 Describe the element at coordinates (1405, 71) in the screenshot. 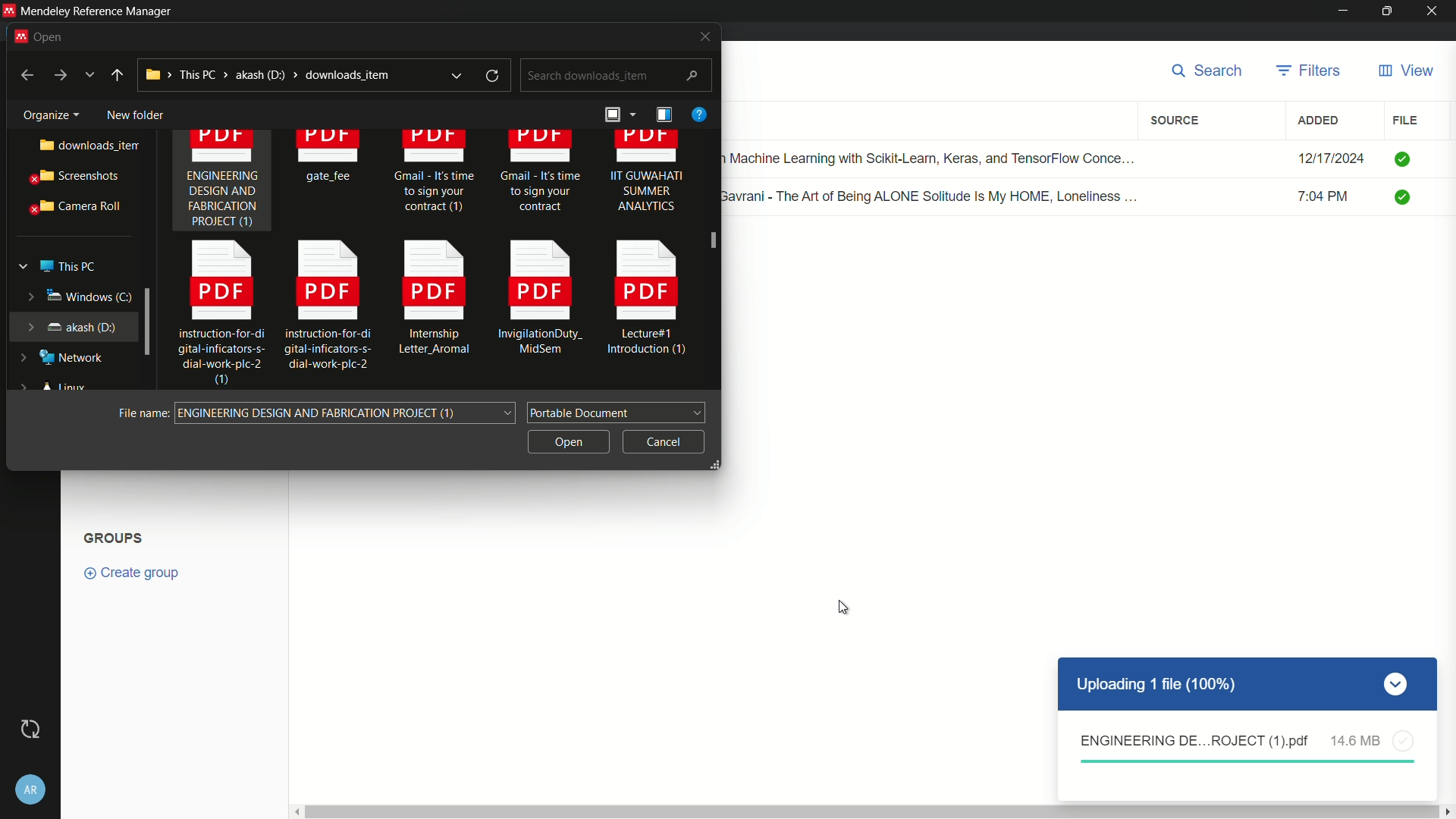

I see `view` at that location.